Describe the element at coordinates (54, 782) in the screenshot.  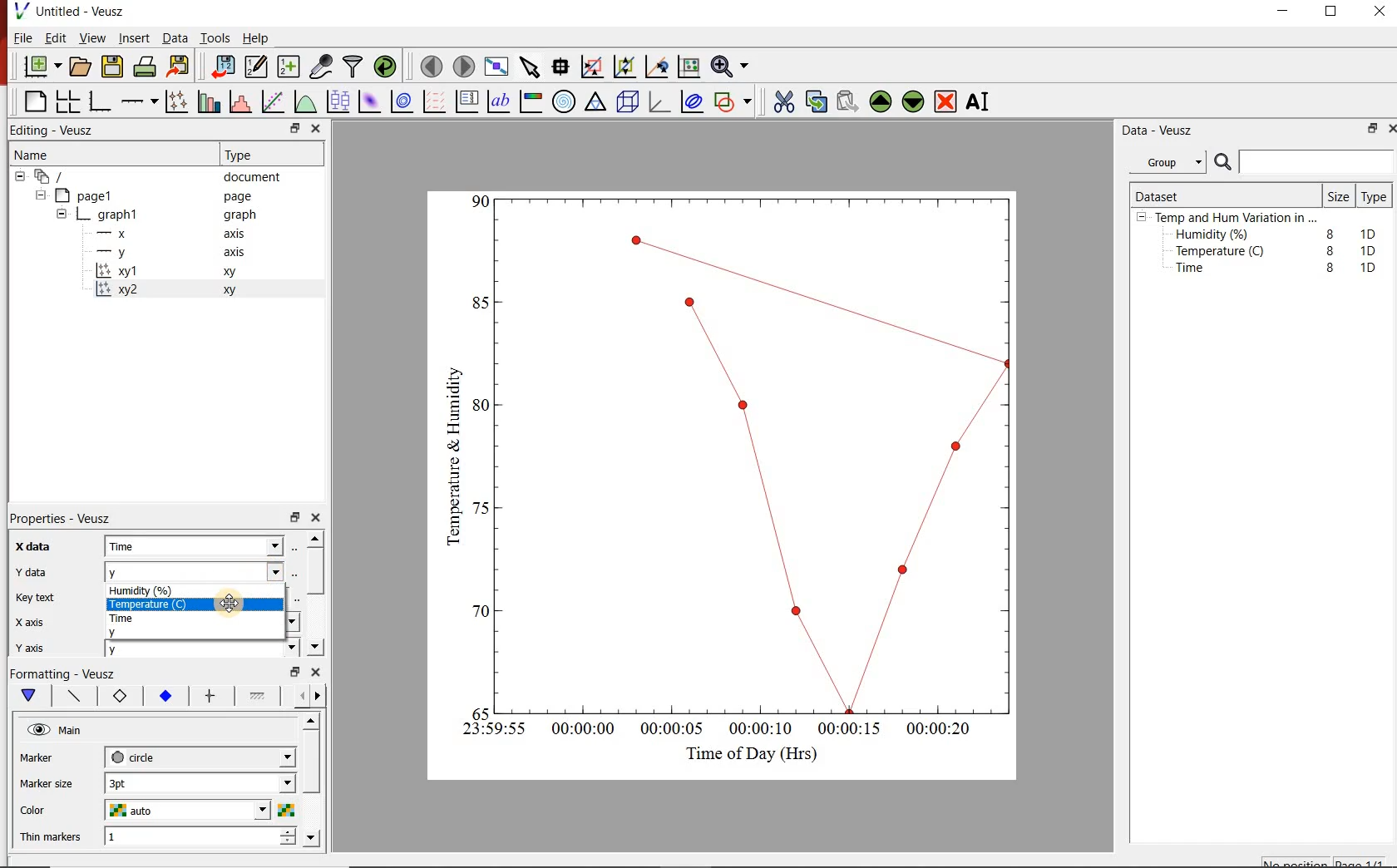
I see `Marker size` at that location.